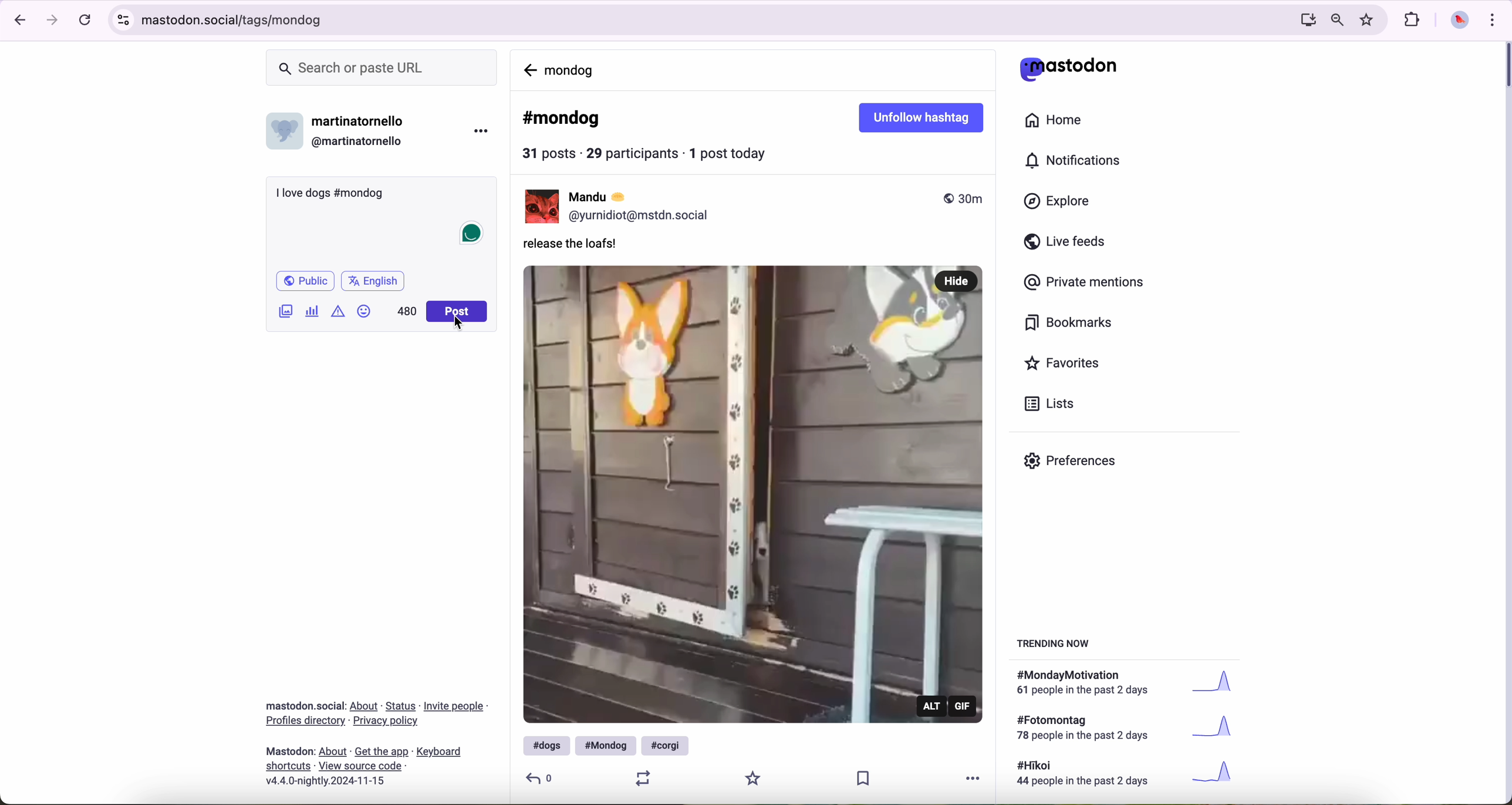 The width and height of the screenshot is (1512, 805). What do you see at coordinates (457, 311) in the screenshot?
I see `post button` at bounding box center [457, 311].